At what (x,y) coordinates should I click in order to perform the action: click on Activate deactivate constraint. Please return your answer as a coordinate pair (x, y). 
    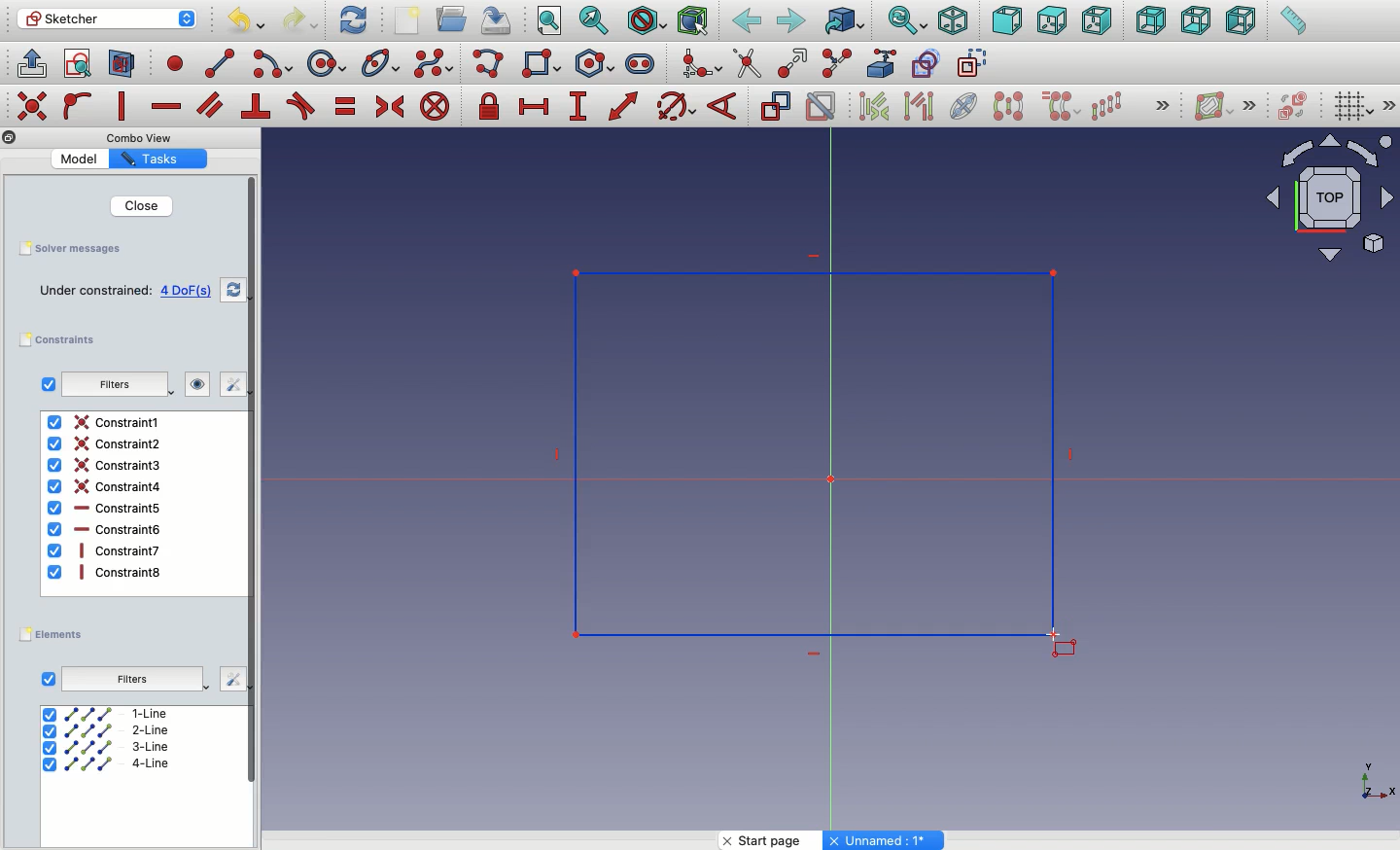
    Looking at the image, I should click on (822, 108).